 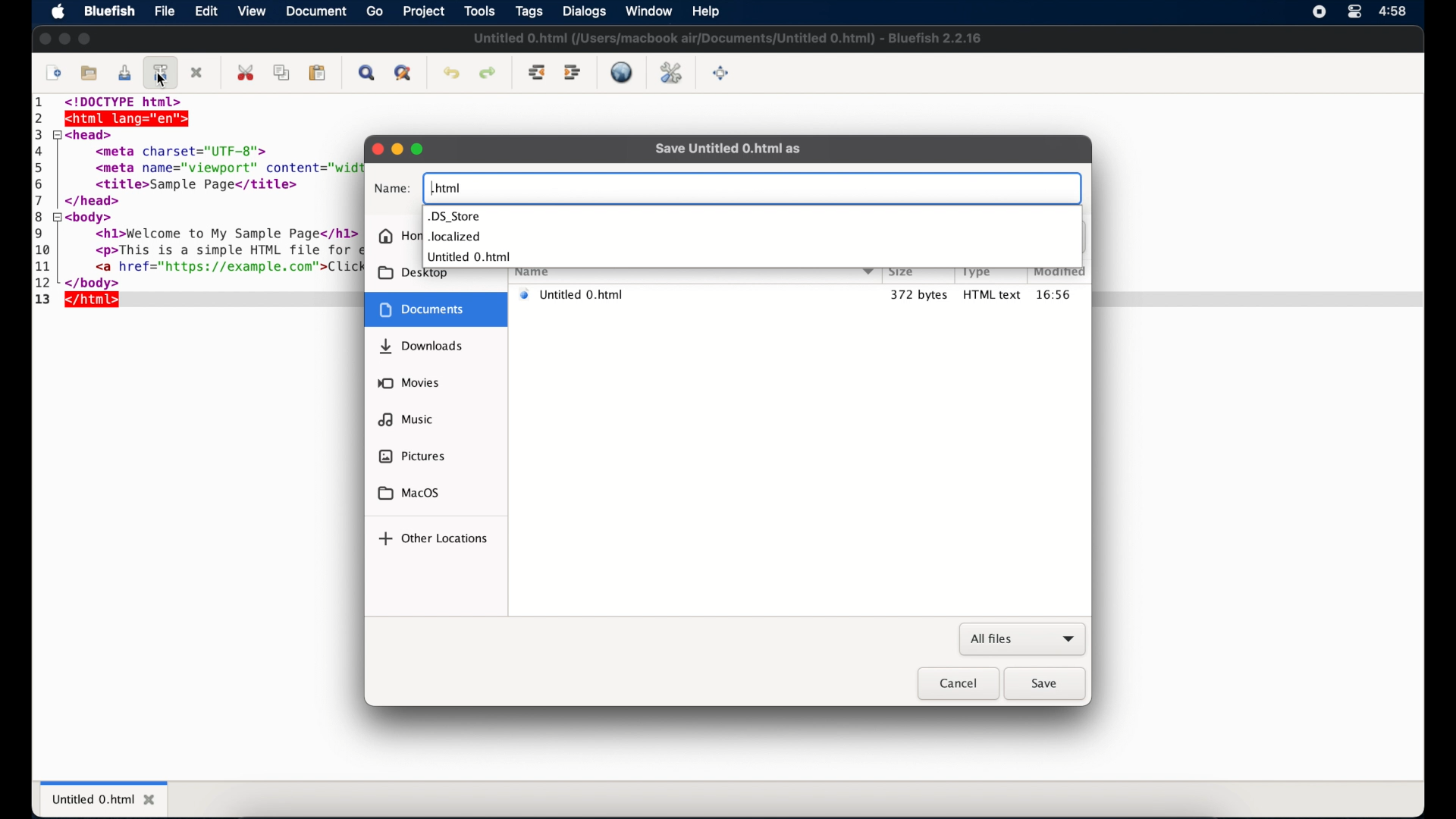 What do you see at coordinates (42, 199) in the screenshot?
I see `7` at bounding box center [42, 199].